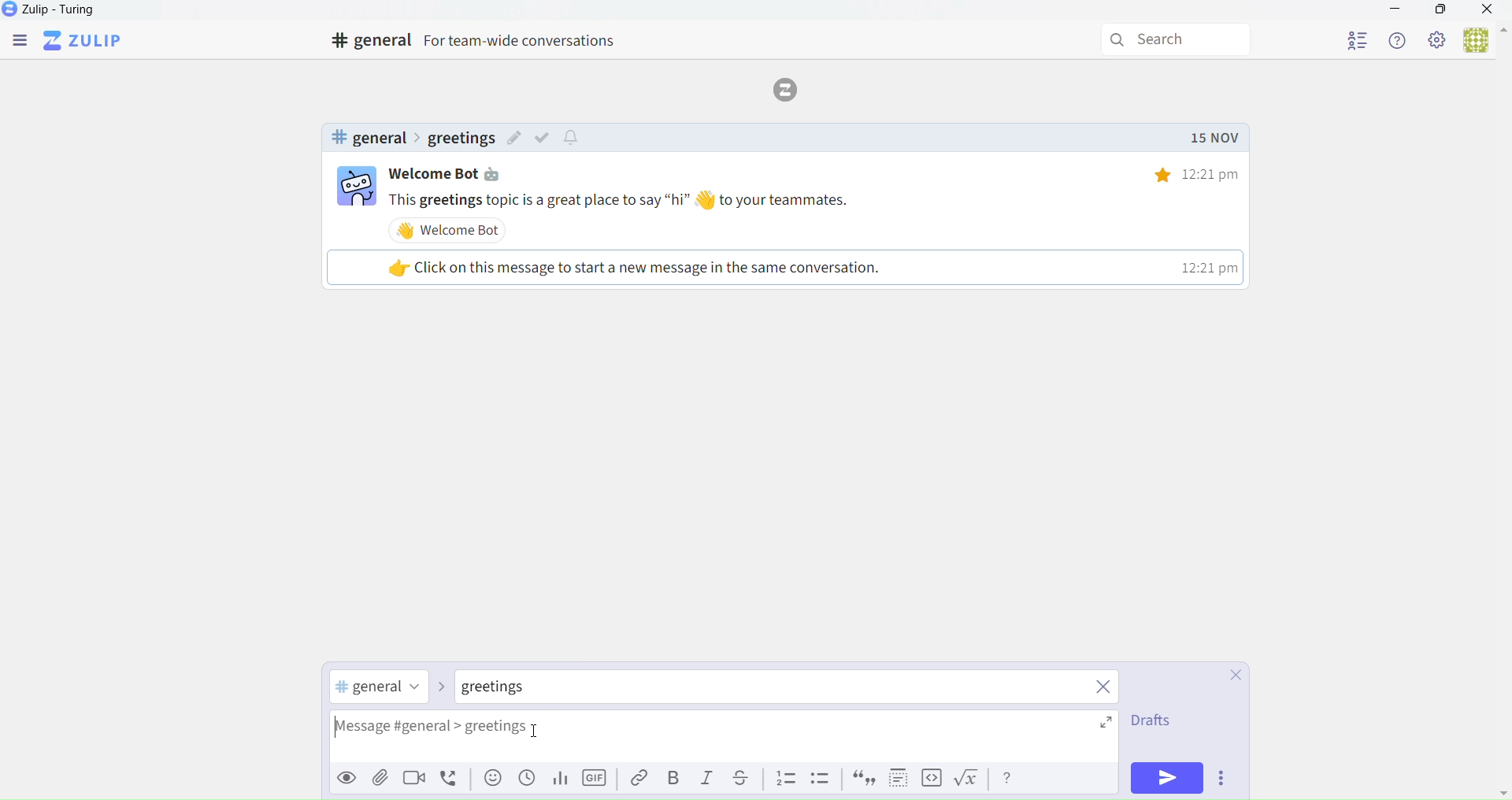 This screenshot has width=1512, height=800. Describe the element at coordinates (357, 188) in the screenshot. I see `image` at that location.